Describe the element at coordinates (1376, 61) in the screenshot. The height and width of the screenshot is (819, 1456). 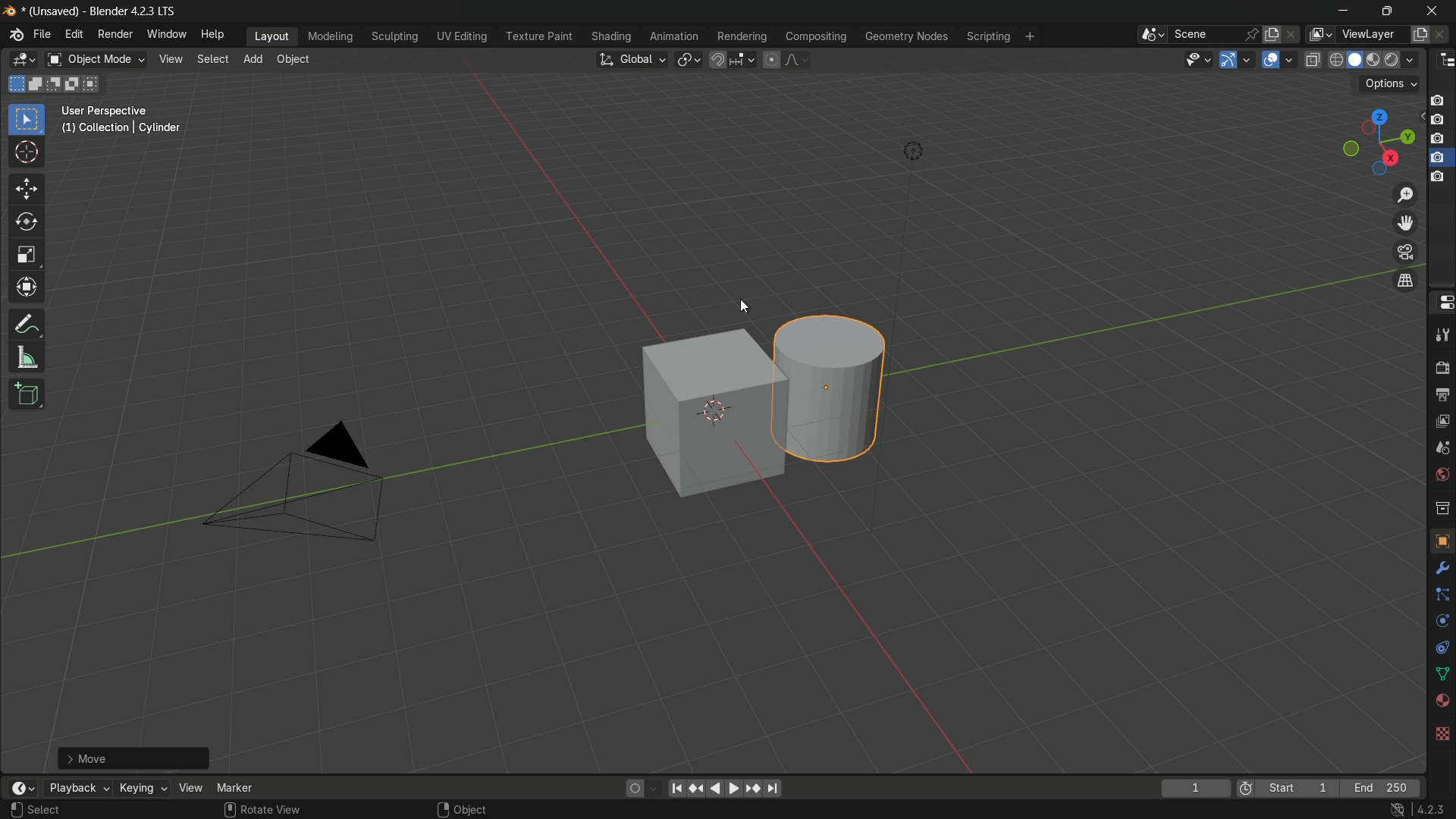
I see `material preview` at that location.